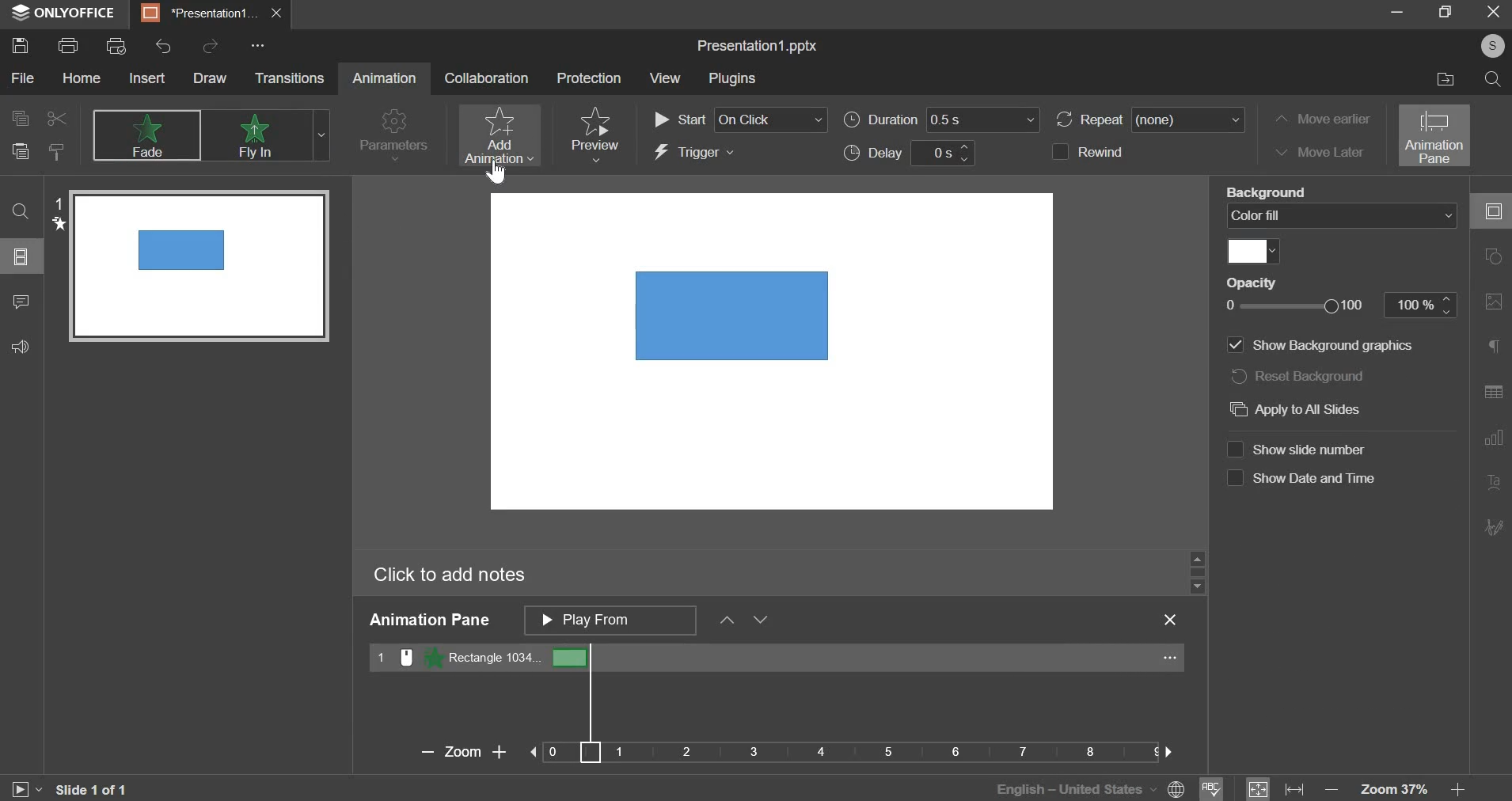 The image size is (1512, 801). Describe the element at coordinates (498, 752) in the screenshot. I see `Zoom in` at that location.